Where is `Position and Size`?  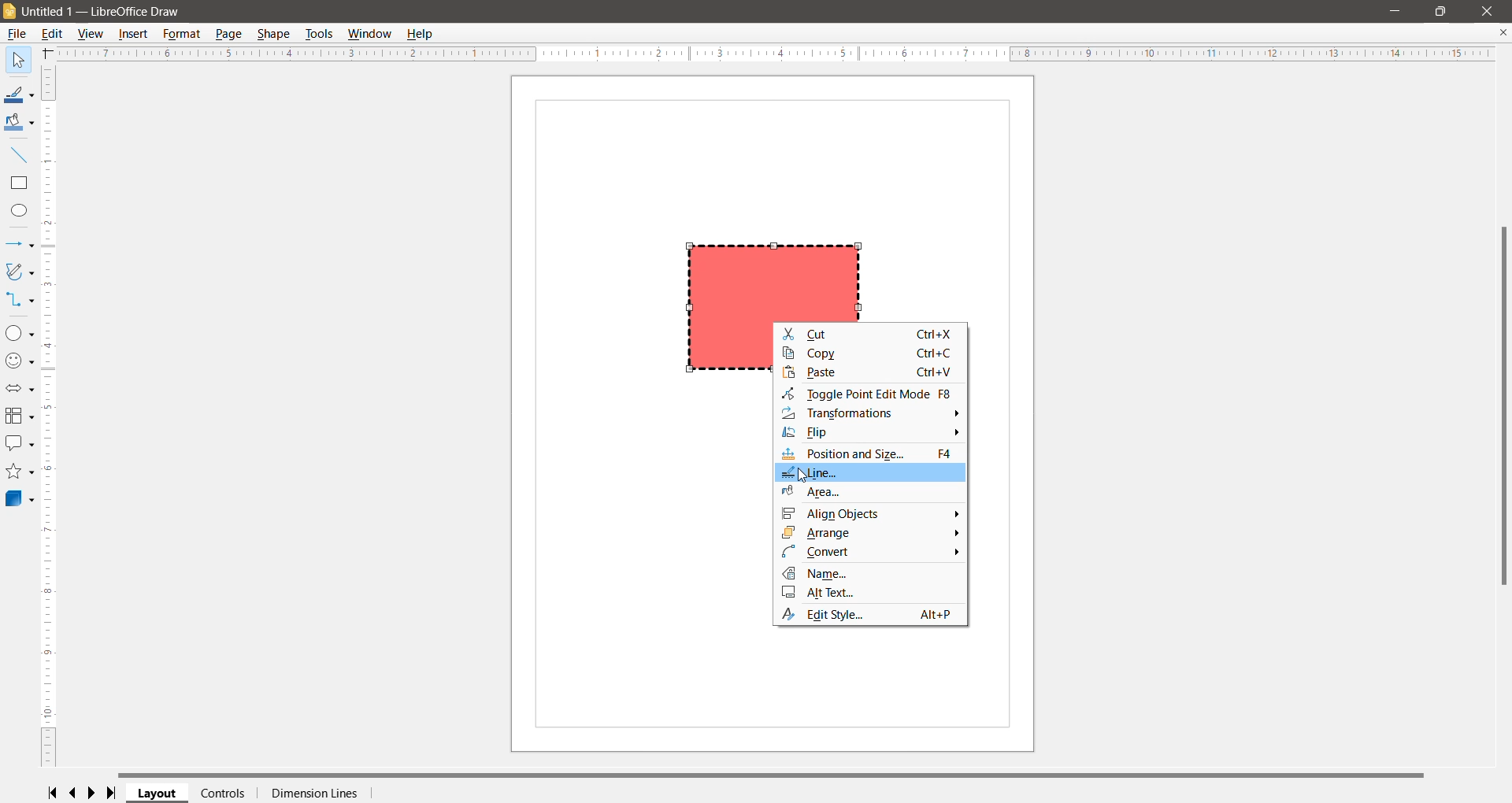
Position and Size is located at coordinates (869, 455).